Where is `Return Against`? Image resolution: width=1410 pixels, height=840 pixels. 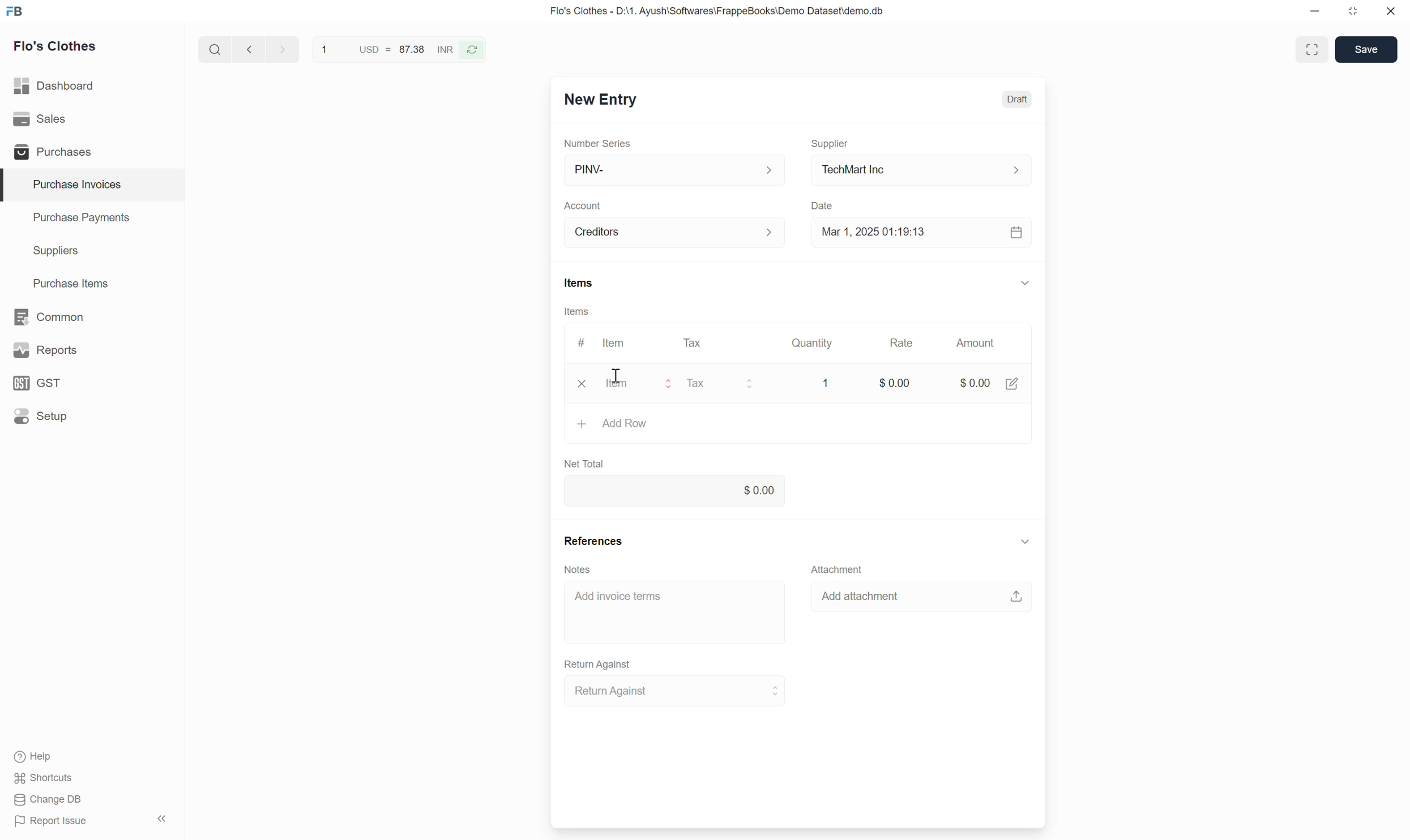
Return Against is located at coordinates (669, 692).